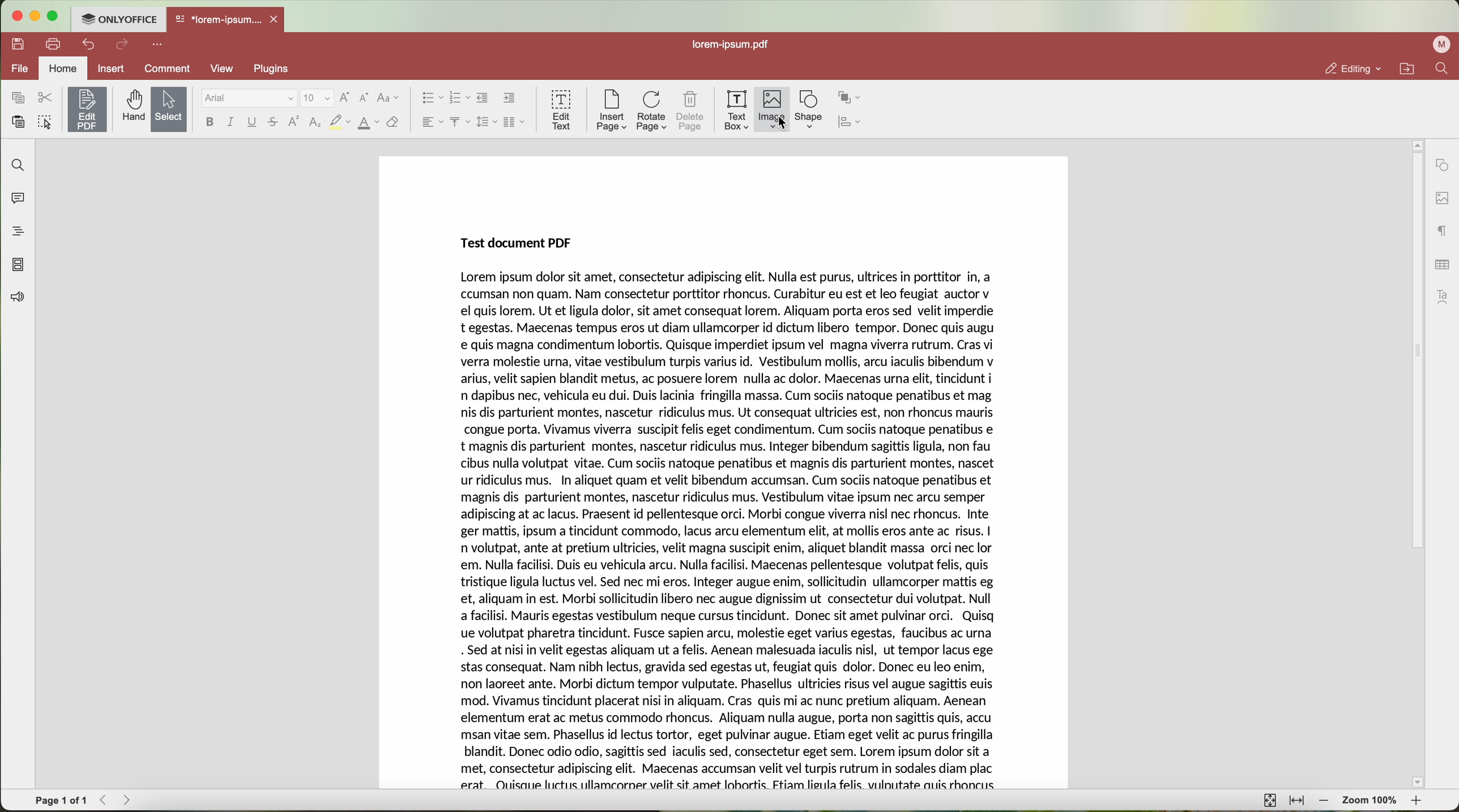 This screenshot has width=1459, height=812. I want to click on comments, so click(15, 196).